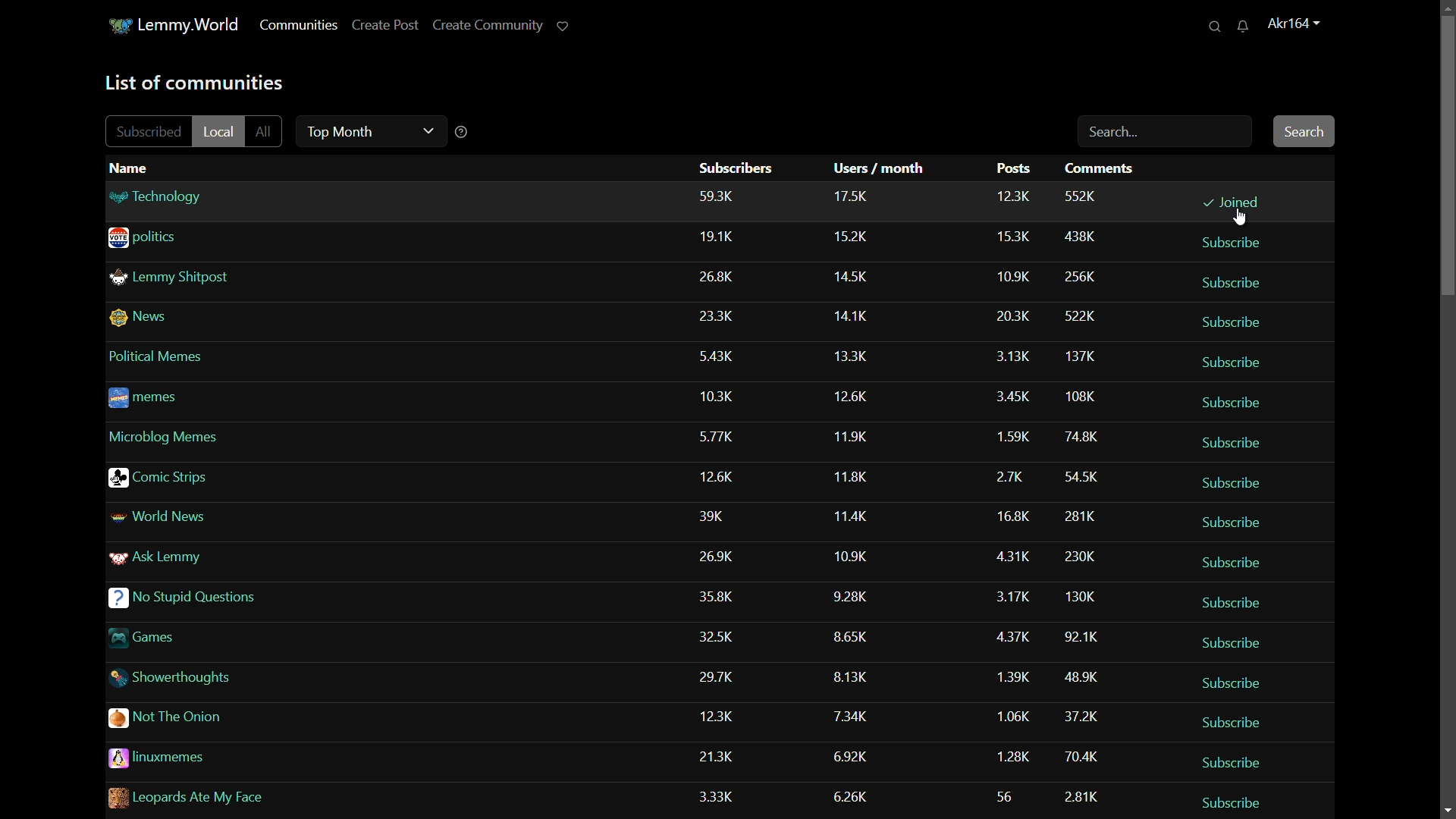 This screenshot has width=1456, height=819. What do you see at coordinates (290, 721) in the screenshot?
I see `communities name` at bounding box center [290, 721].